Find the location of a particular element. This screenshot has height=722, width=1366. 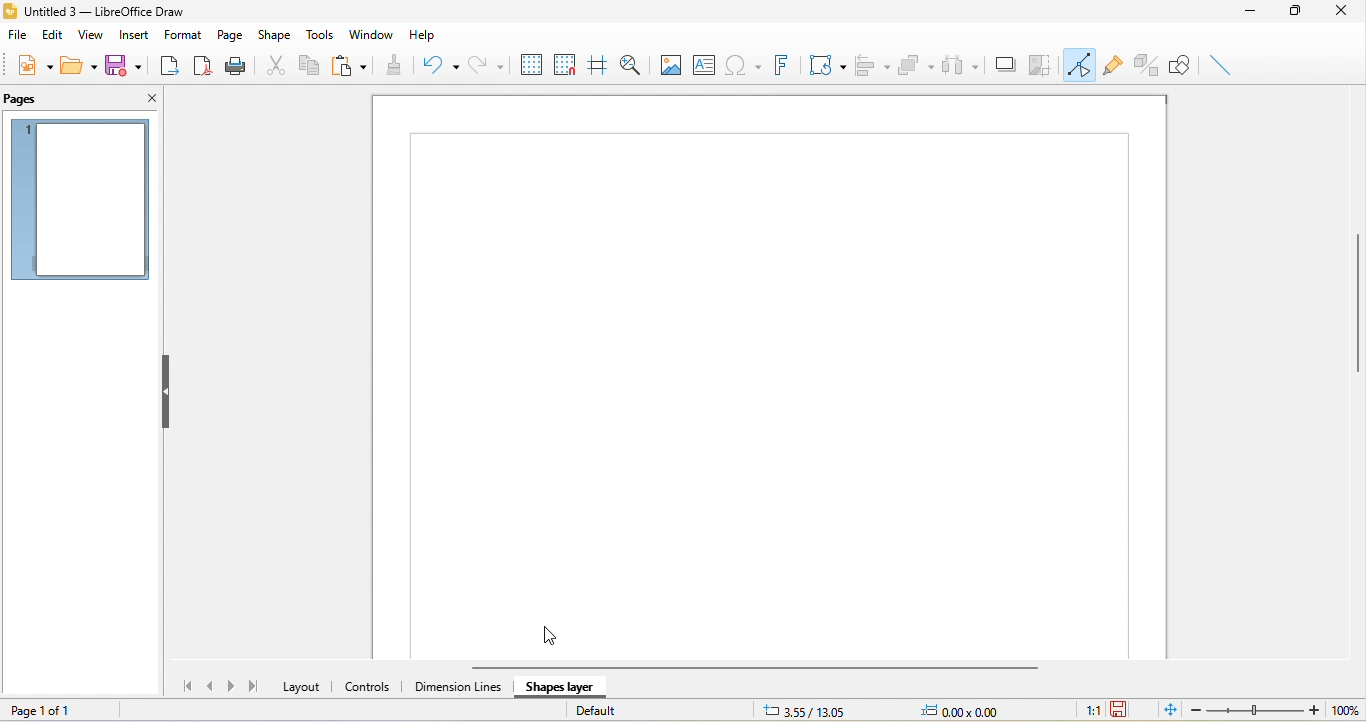

minimize is located at coordinates (1255, 13).